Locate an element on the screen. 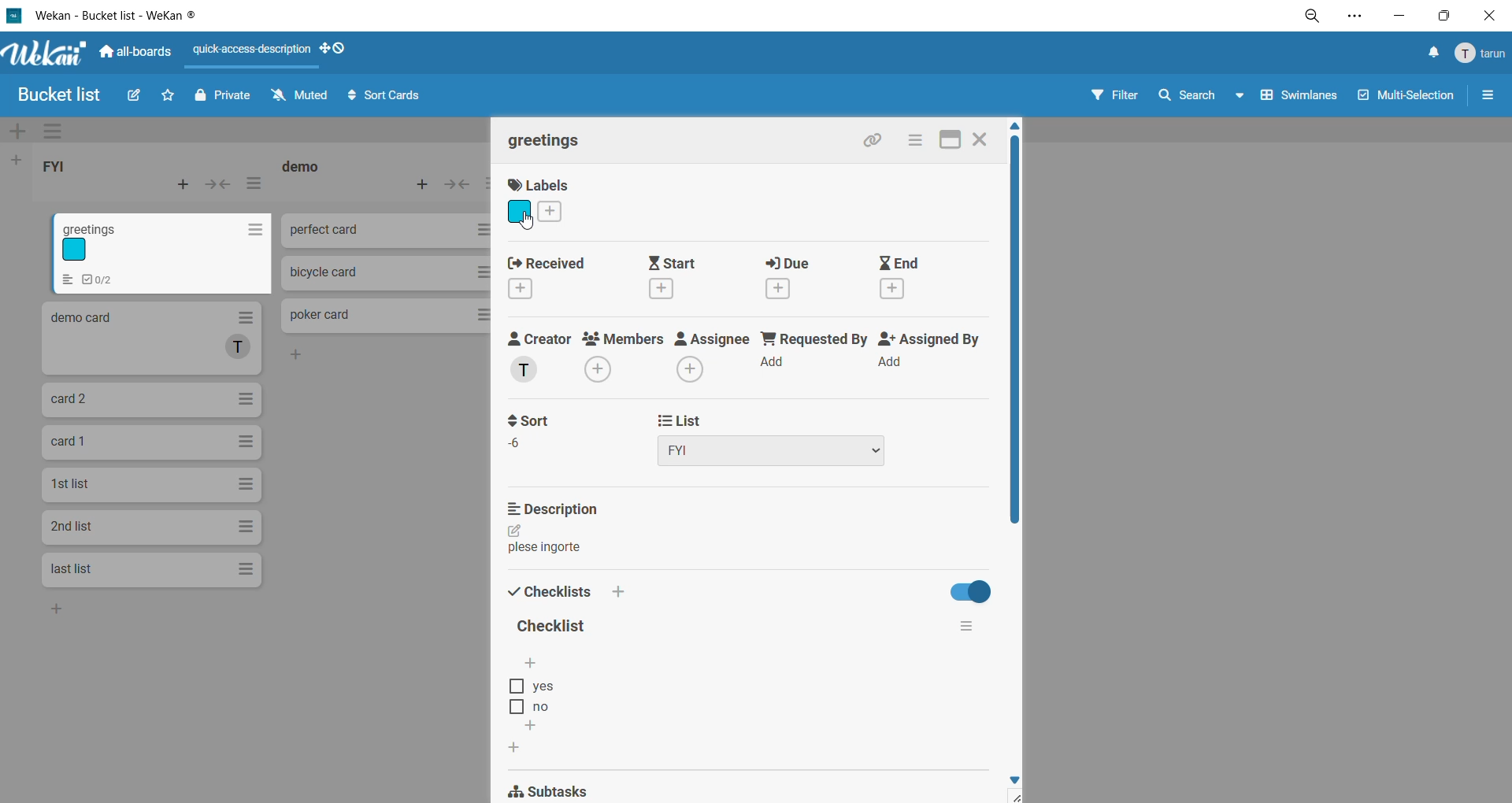 Image resolution: width=1512 pixels, height=803 pixels. collapse is located at coordinates (220, 184).